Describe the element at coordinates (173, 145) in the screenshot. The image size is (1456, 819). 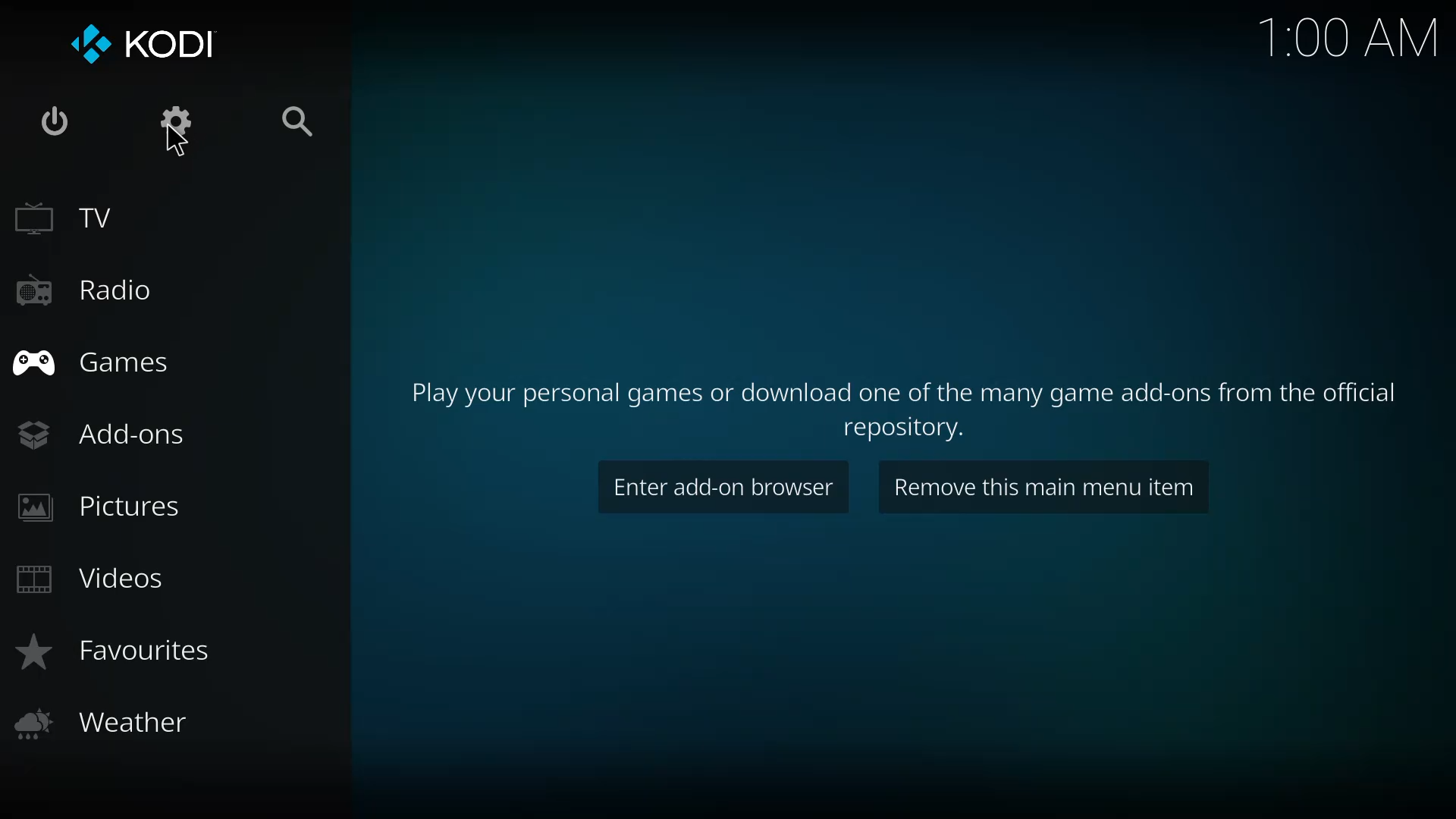
I see `cursor` at that location.